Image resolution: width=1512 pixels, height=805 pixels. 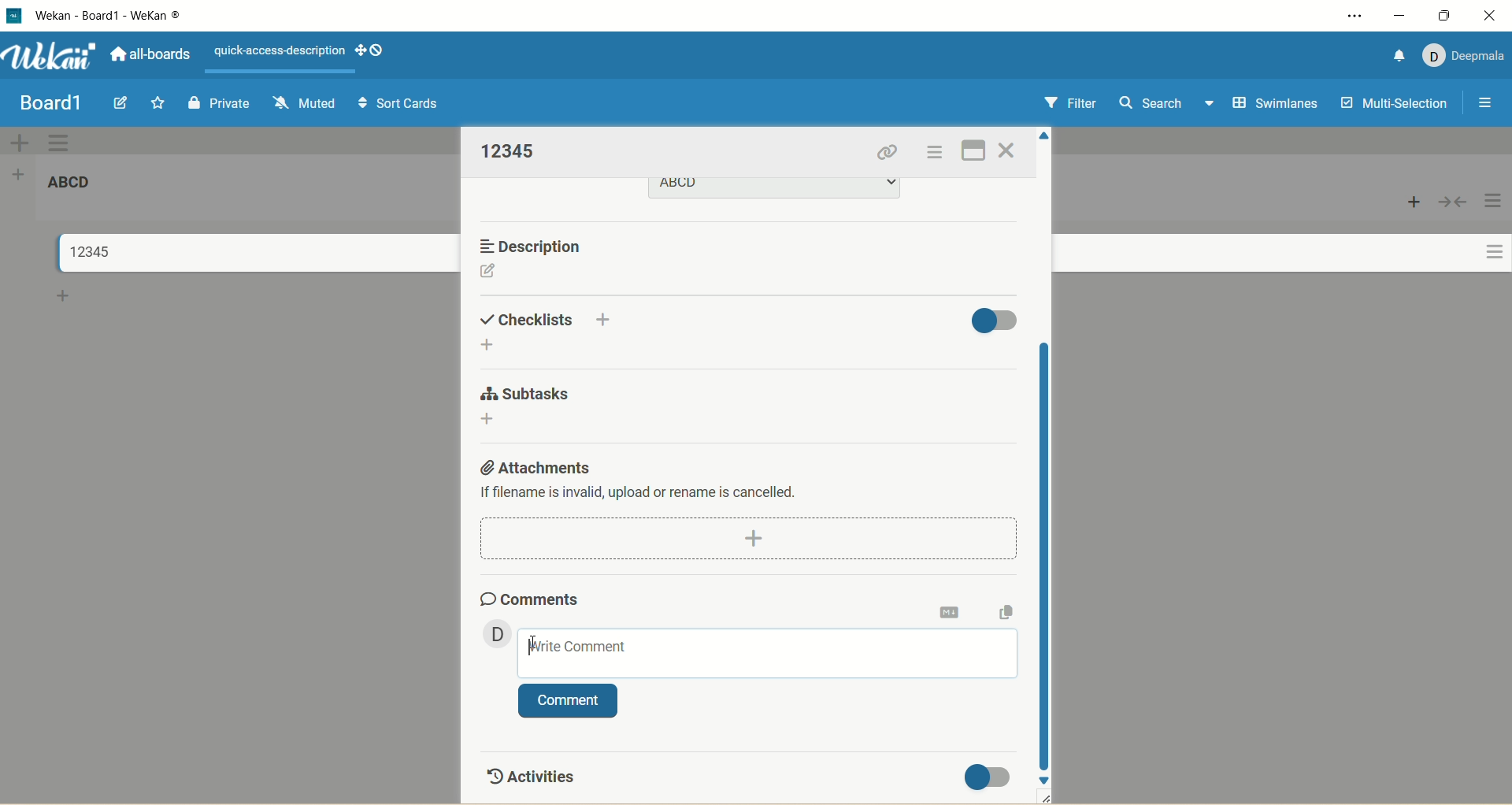 I want to click on click to scroll down, so click(x=1045, y=779).